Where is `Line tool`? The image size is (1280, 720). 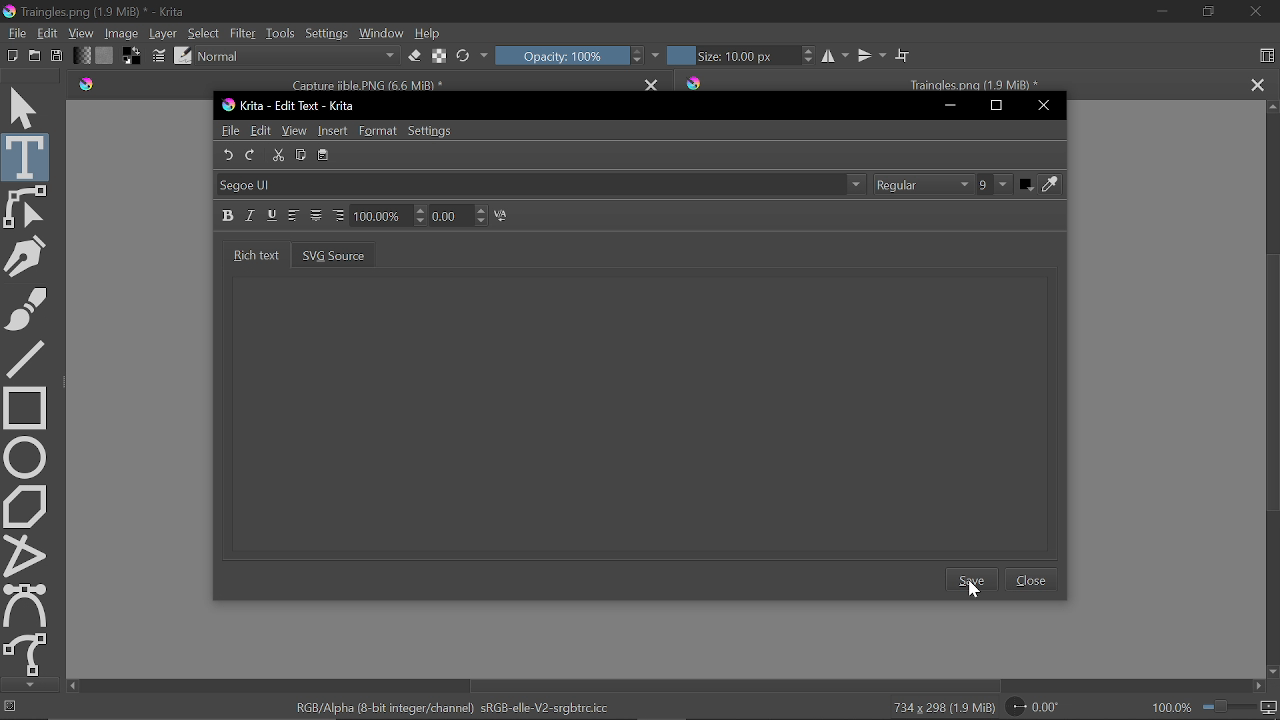
Line tool is located at coordinates (25, 360).